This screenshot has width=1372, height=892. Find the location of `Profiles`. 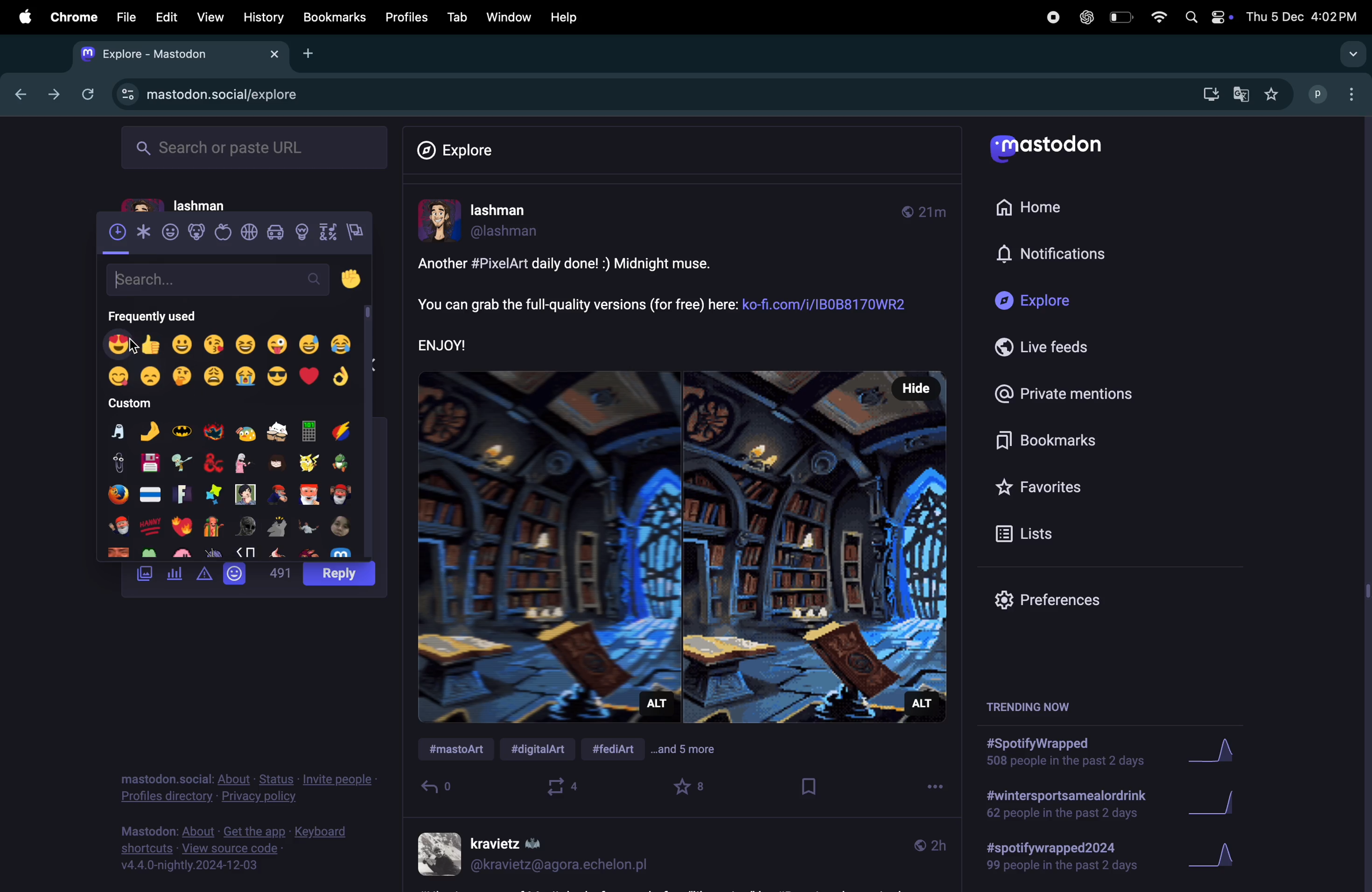

Profiles is located at coordinates (408, 17).